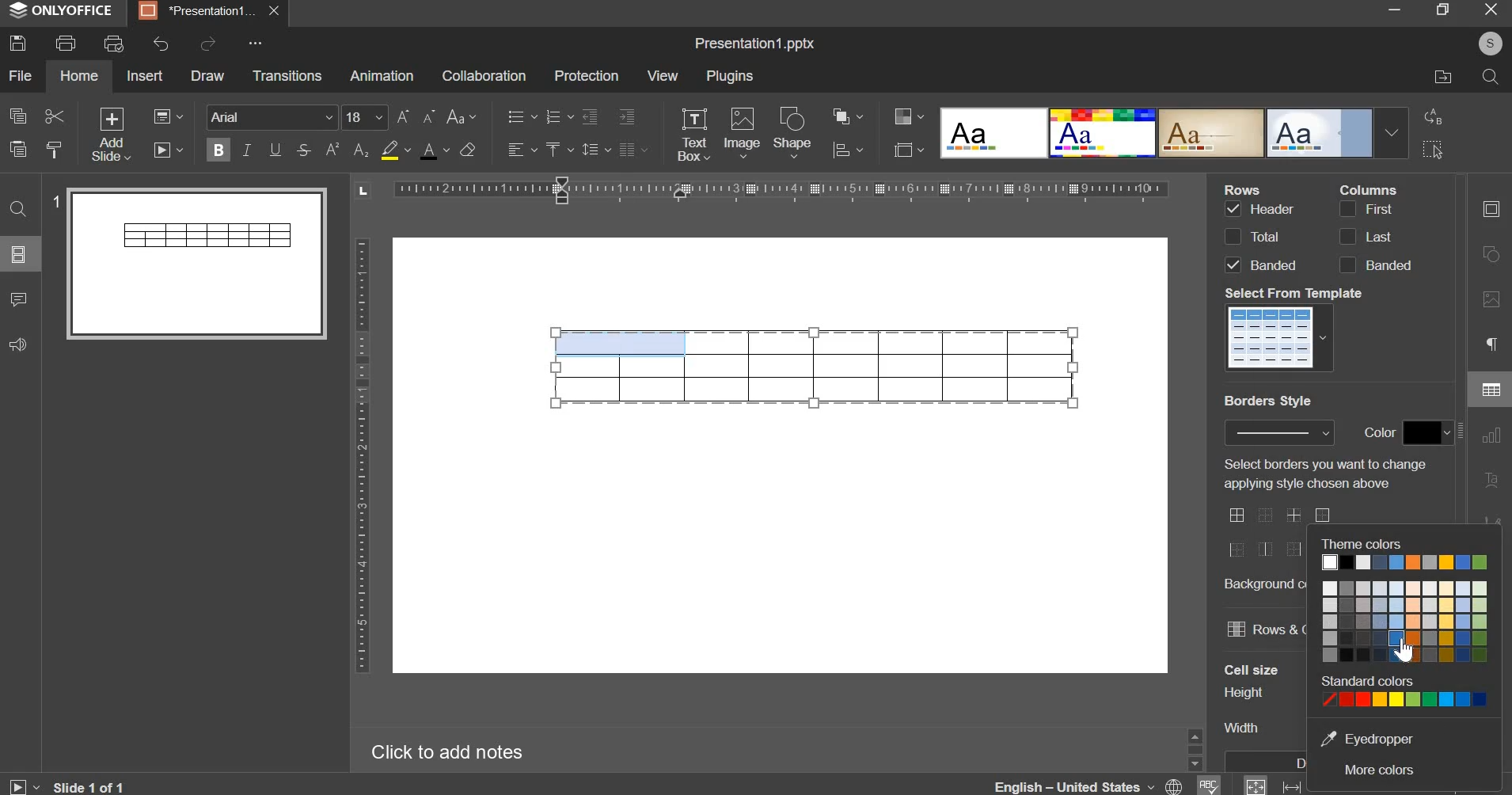  I want to click on justified, so click(633, 150).